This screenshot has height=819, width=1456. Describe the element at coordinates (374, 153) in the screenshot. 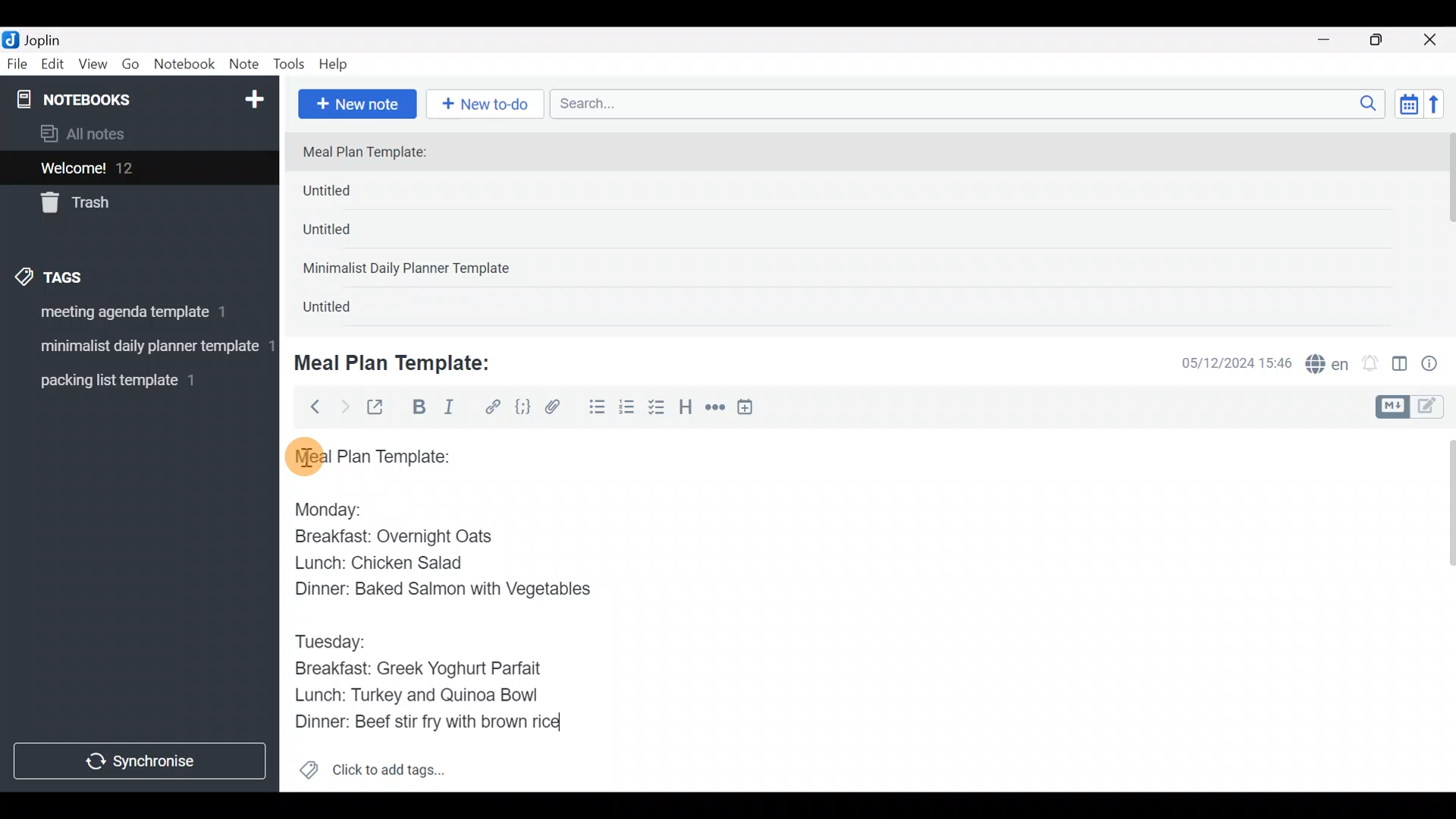

I see `Meal Plan Template:` at that location.